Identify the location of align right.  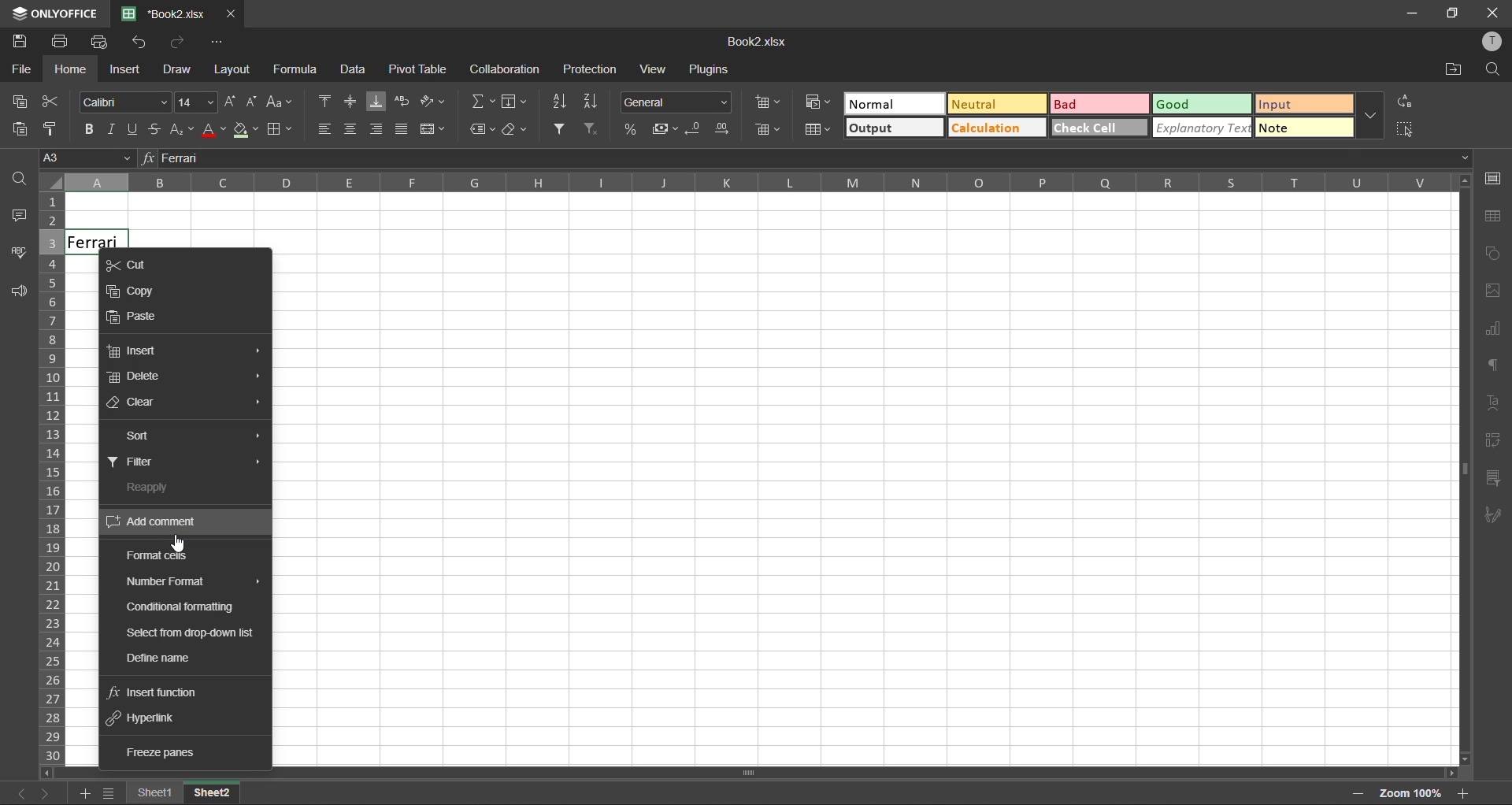
(378, 129).